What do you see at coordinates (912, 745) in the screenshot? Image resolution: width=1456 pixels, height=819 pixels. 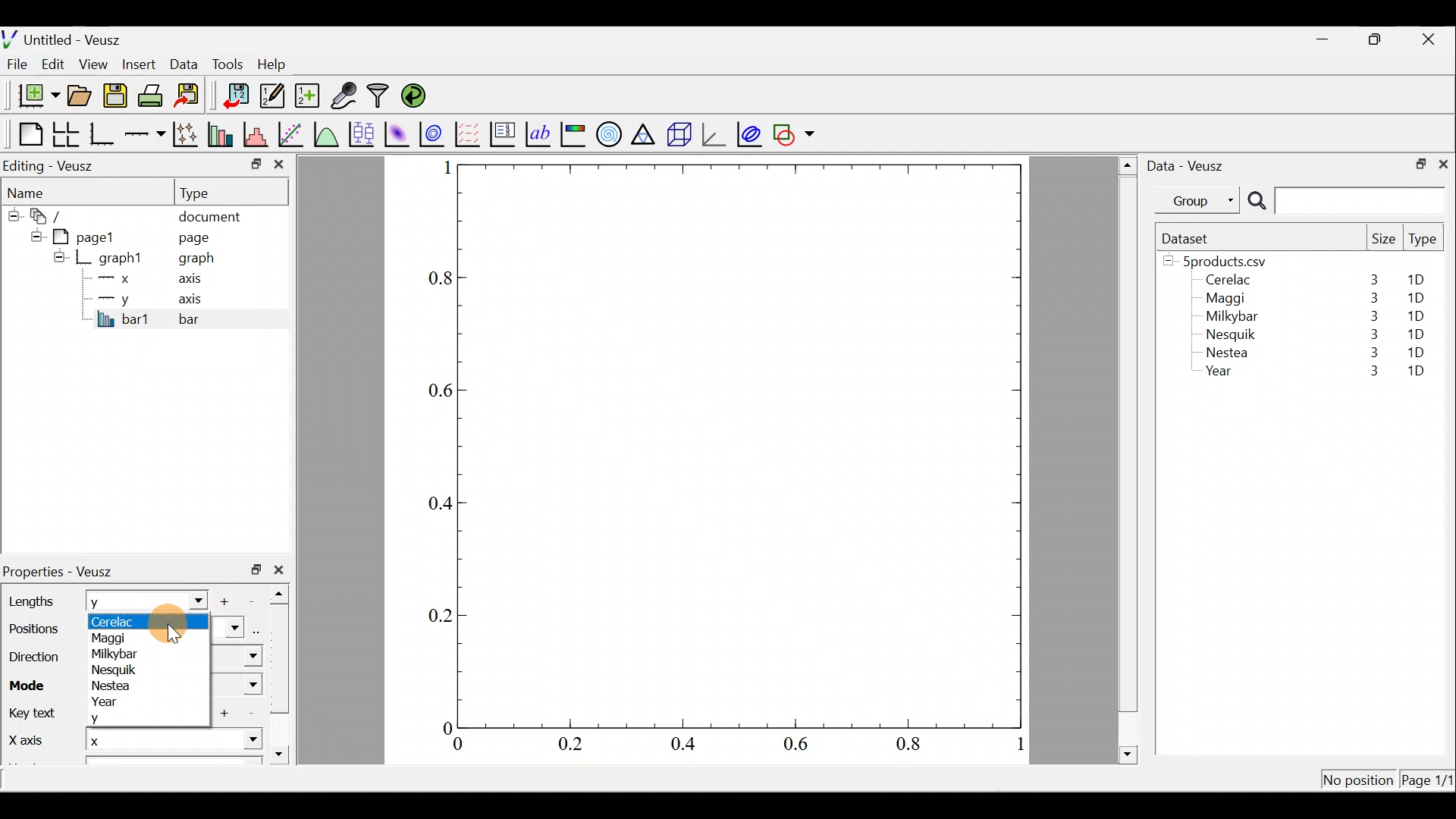 I see `0.8` at bounding box center [912, 745].